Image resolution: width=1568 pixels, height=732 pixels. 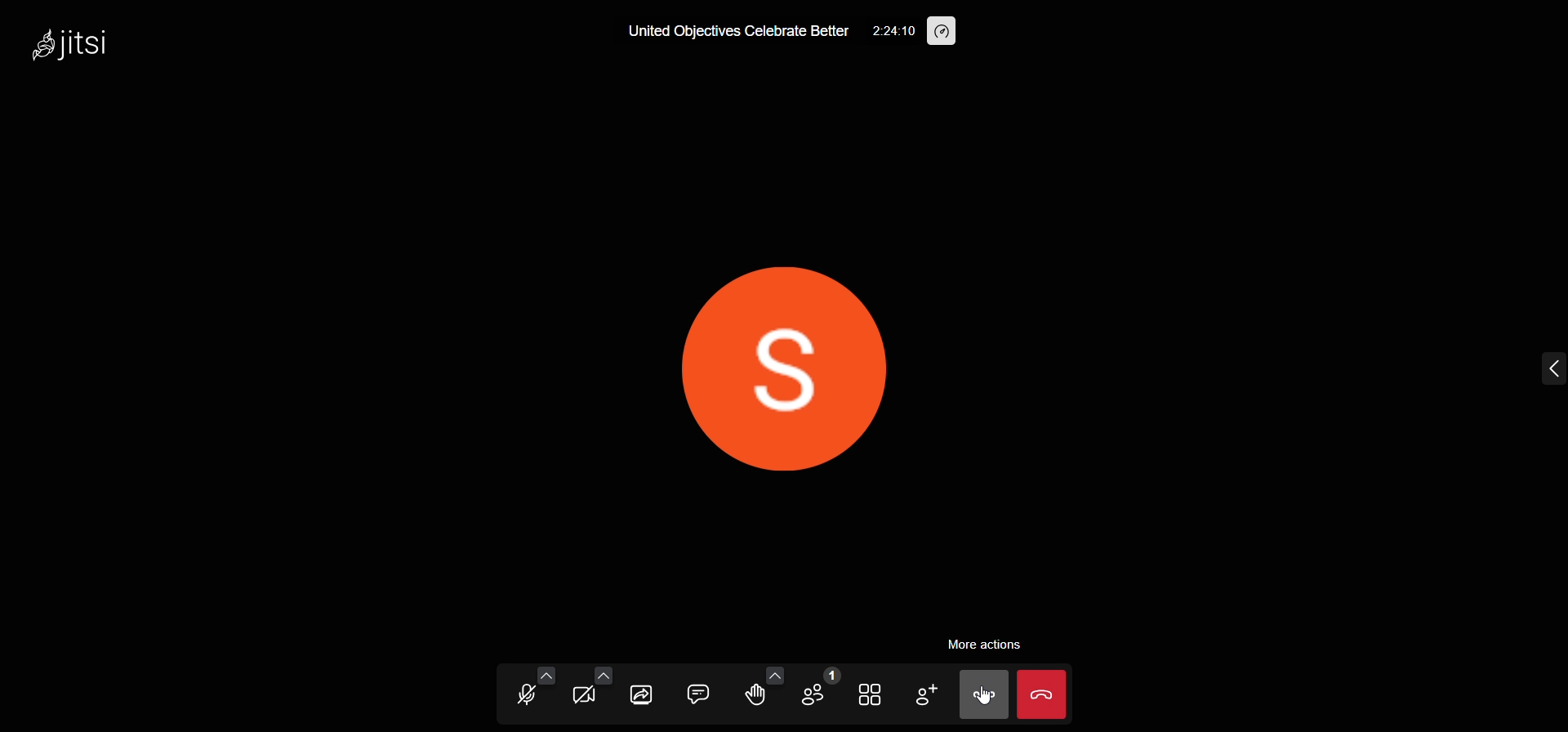 I want to click on expand, so click(x=1548, y=368).